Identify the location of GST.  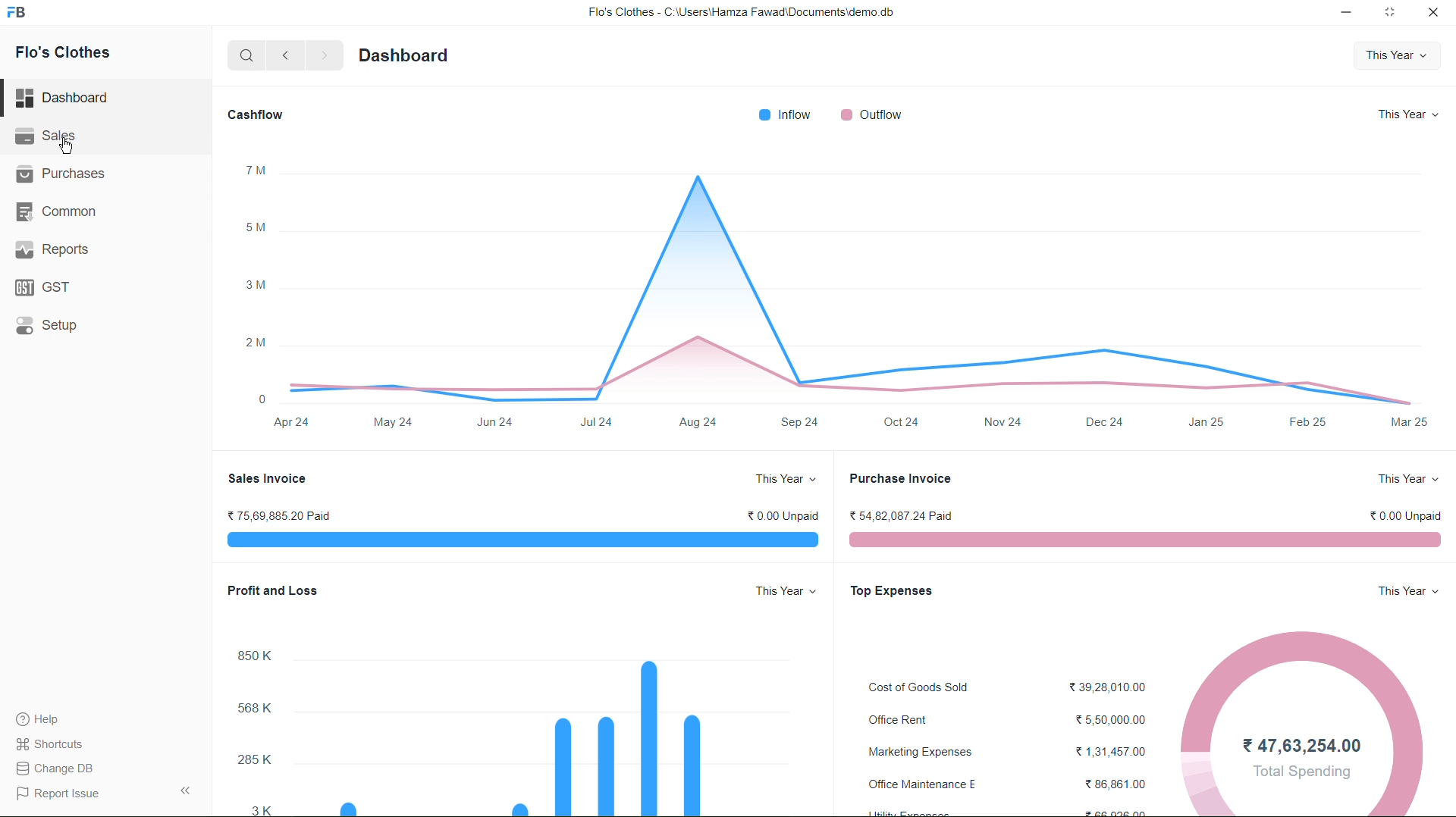
(42, 286).